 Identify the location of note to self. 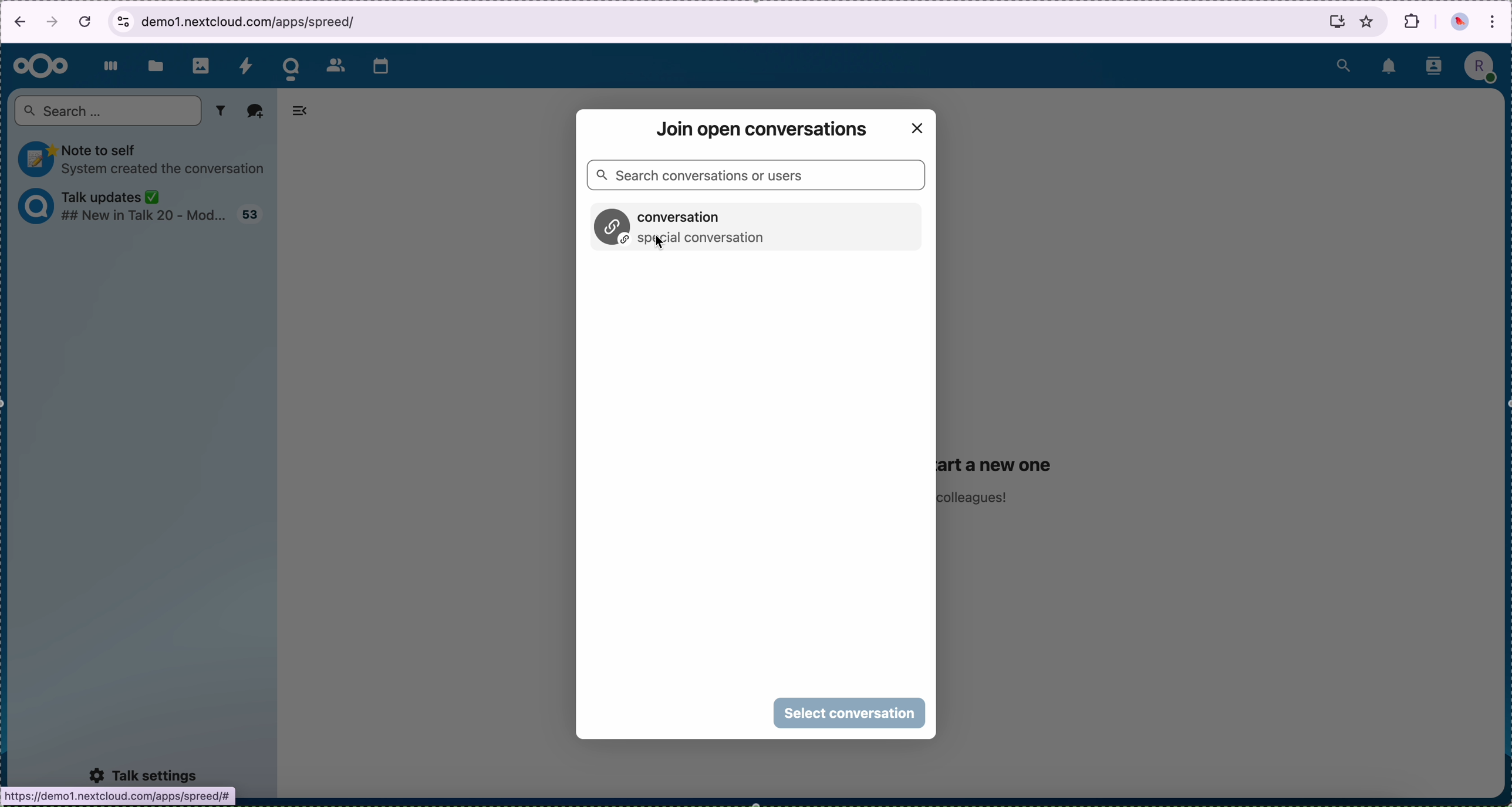
(144, 160).